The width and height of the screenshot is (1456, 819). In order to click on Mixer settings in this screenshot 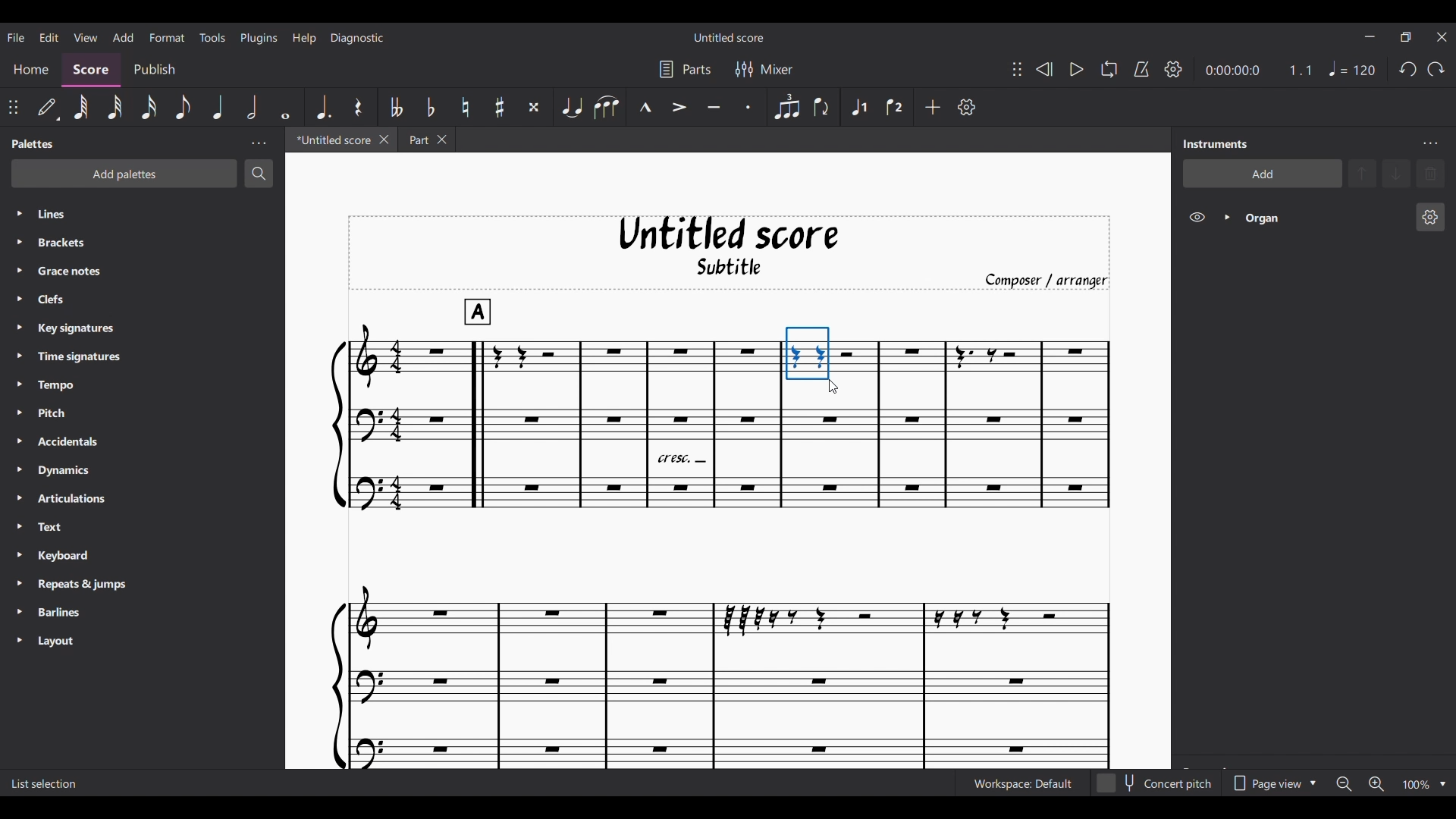, I will do `click(765, 70)`.